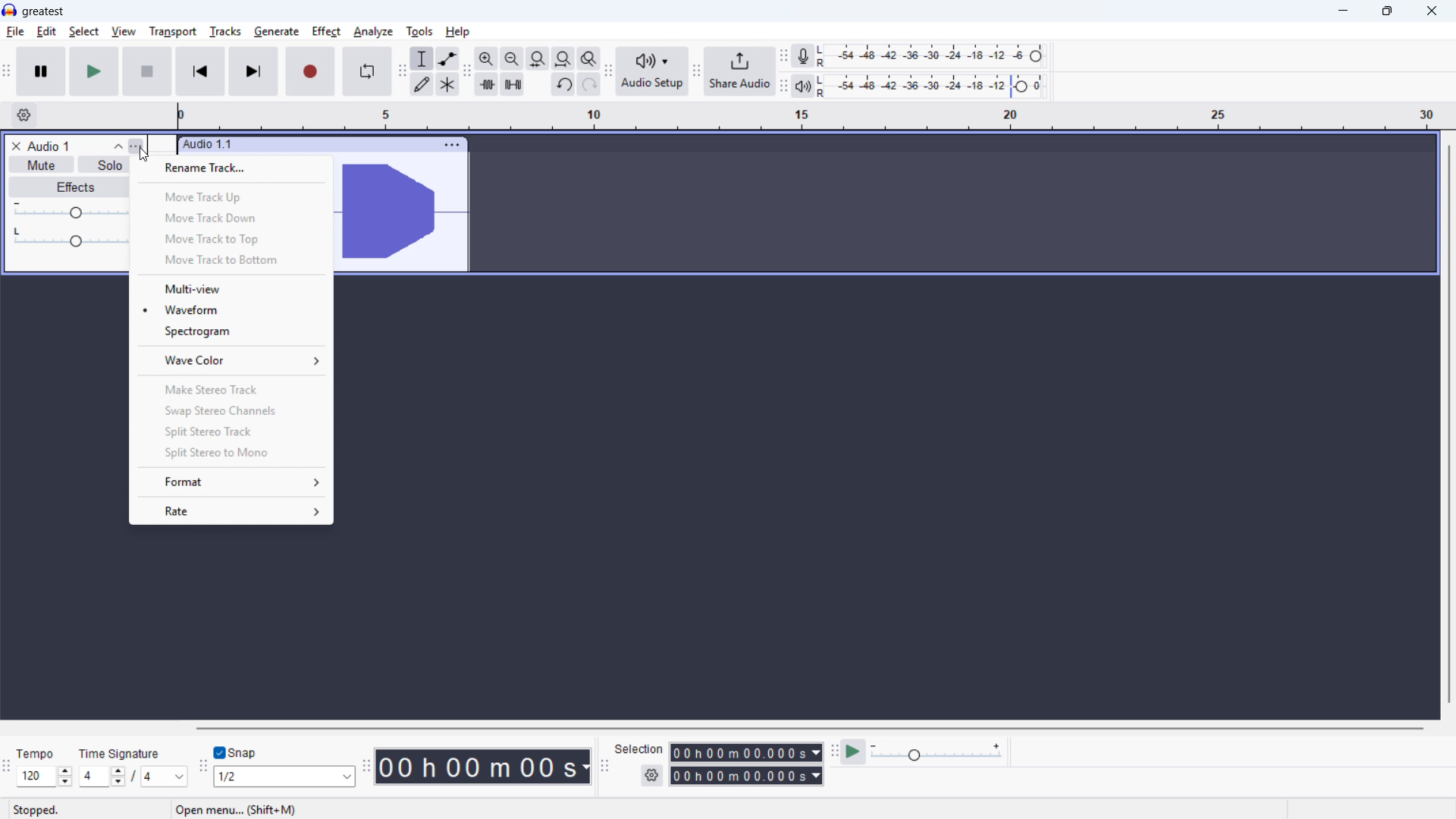  What do you see at coordinates (233, 360) in the screenshot?
I see `Wave colour ` at bounding box center [233, 360].